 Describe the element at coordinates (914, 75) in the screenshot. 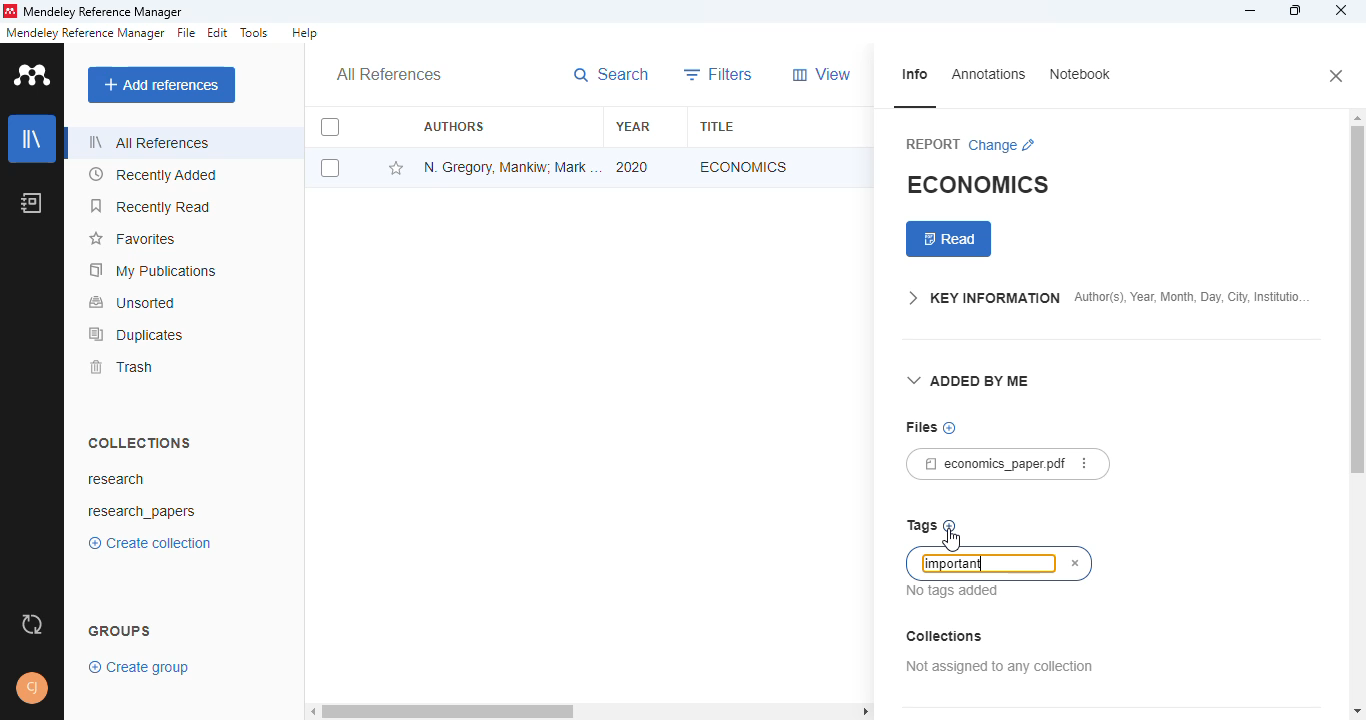

I see `info` at that location.